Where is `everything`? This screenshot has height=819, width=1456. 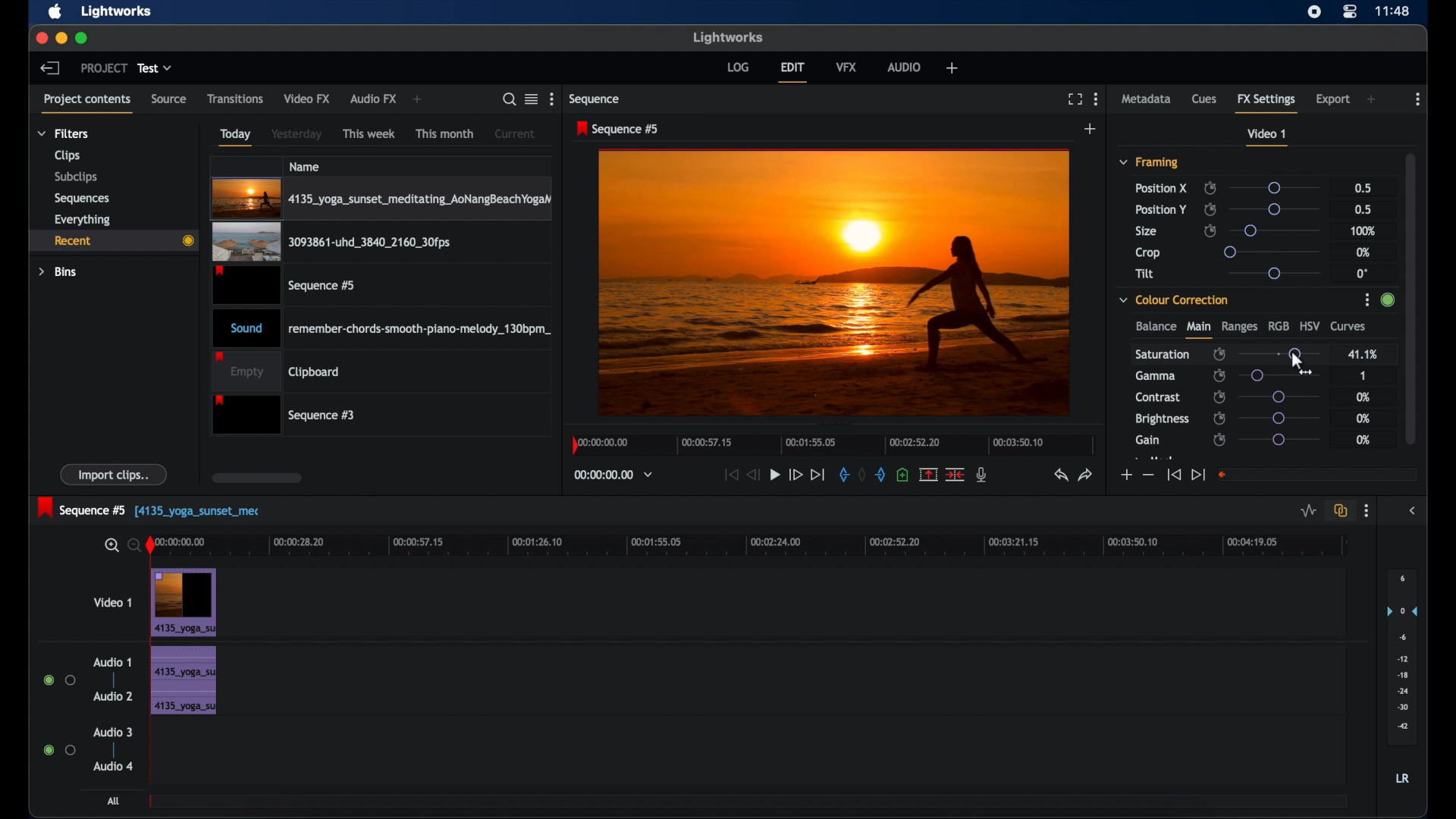 everything is located at coordinates (83, 219).